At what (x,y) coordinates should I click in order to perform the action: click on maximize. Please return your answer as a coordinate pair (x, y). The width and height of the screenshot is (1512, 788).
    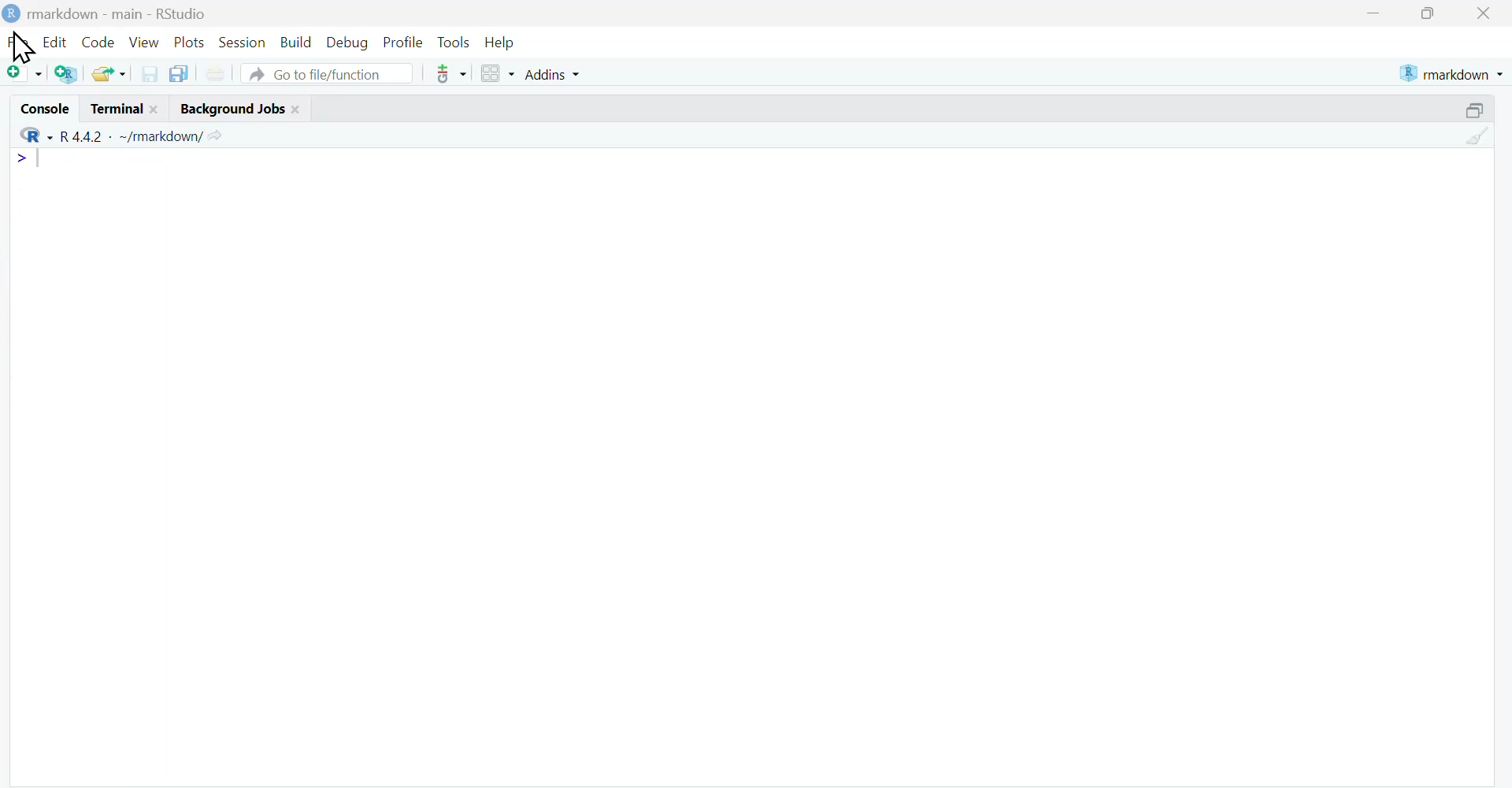
    Looking at the image, I should click on (1425, 13).